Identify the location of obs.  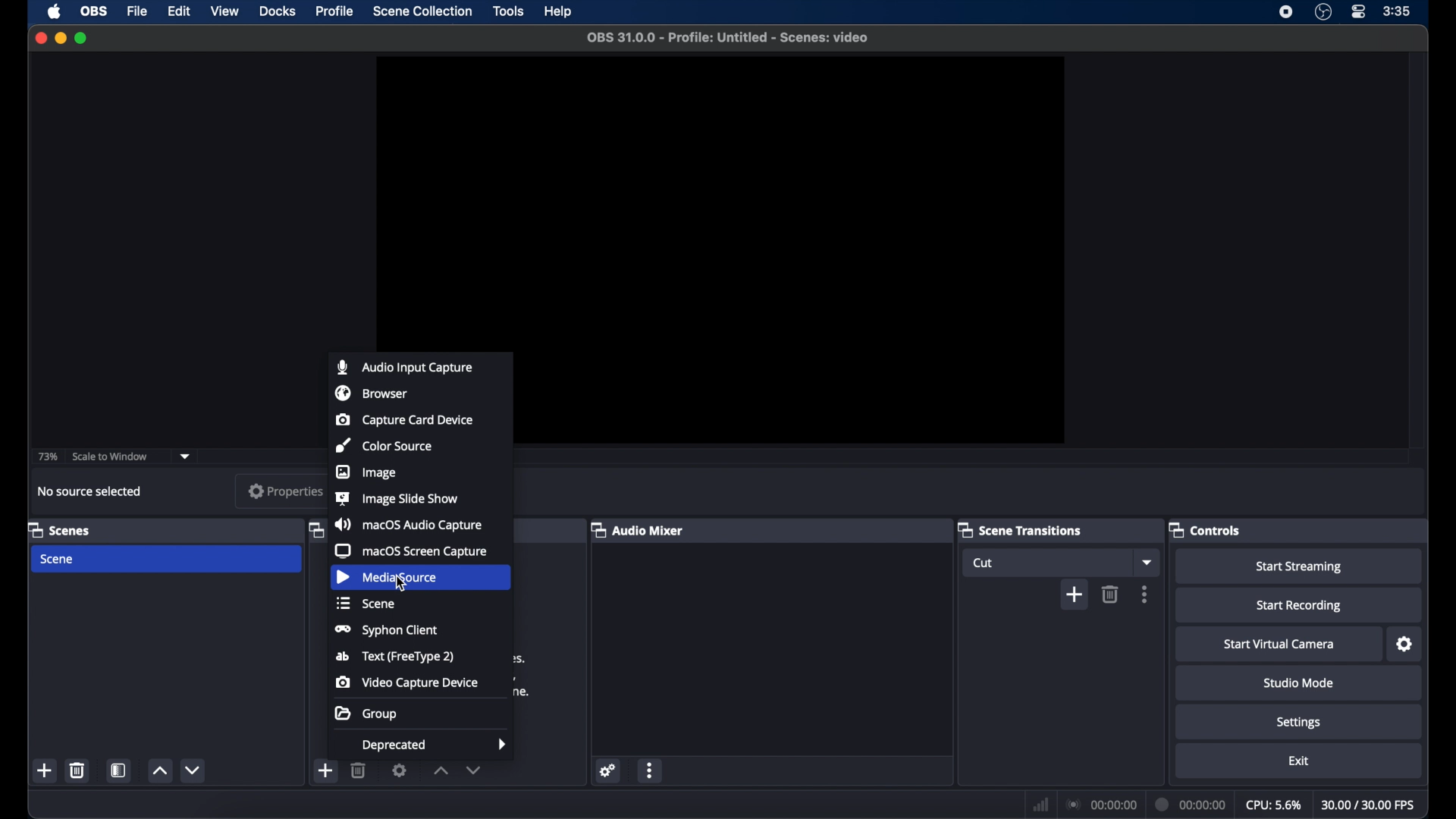
(93, 11).